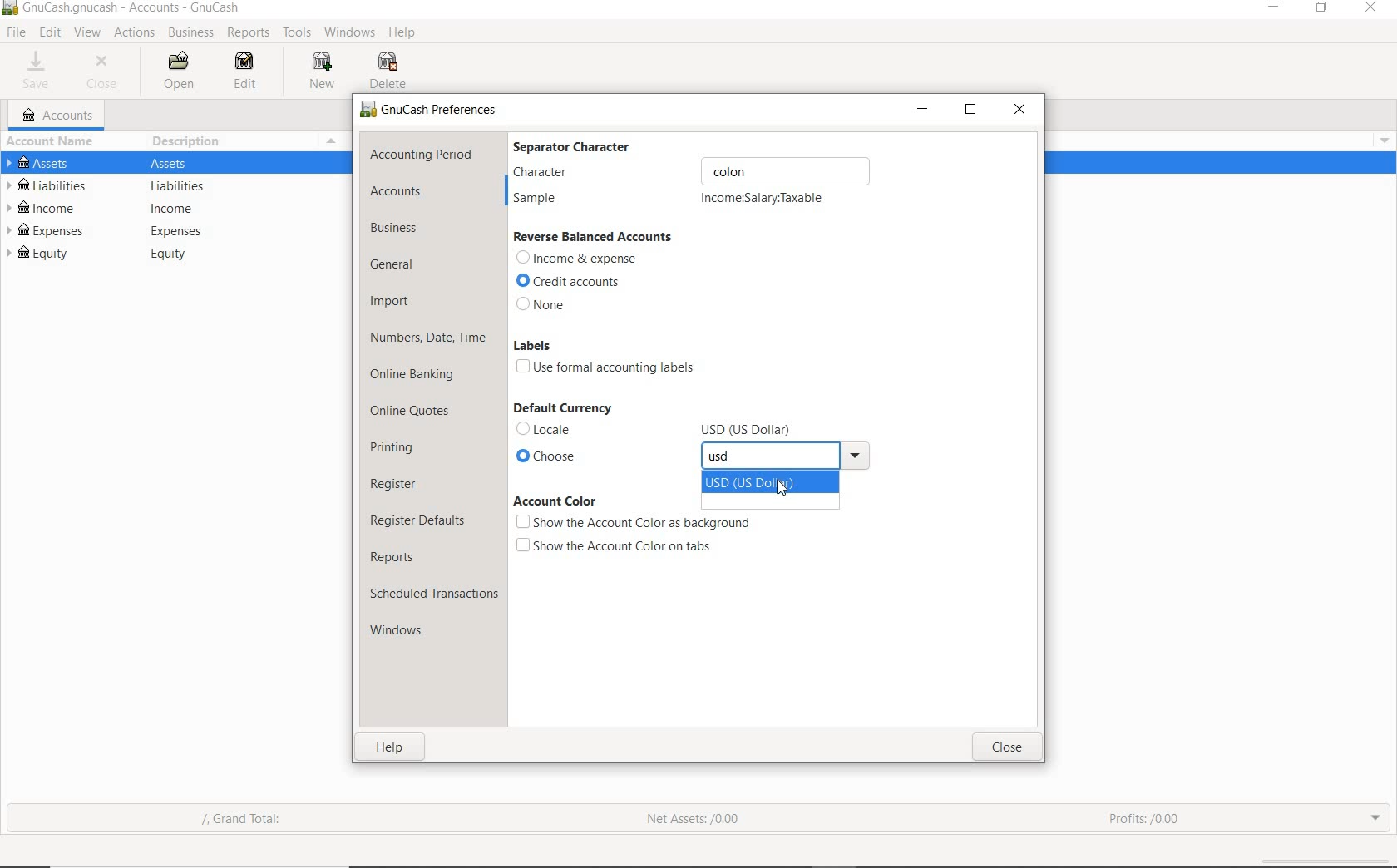  What do you see at coordinates (178, 231) in the screenshot?
I see `` at bounding box center [178, 231].